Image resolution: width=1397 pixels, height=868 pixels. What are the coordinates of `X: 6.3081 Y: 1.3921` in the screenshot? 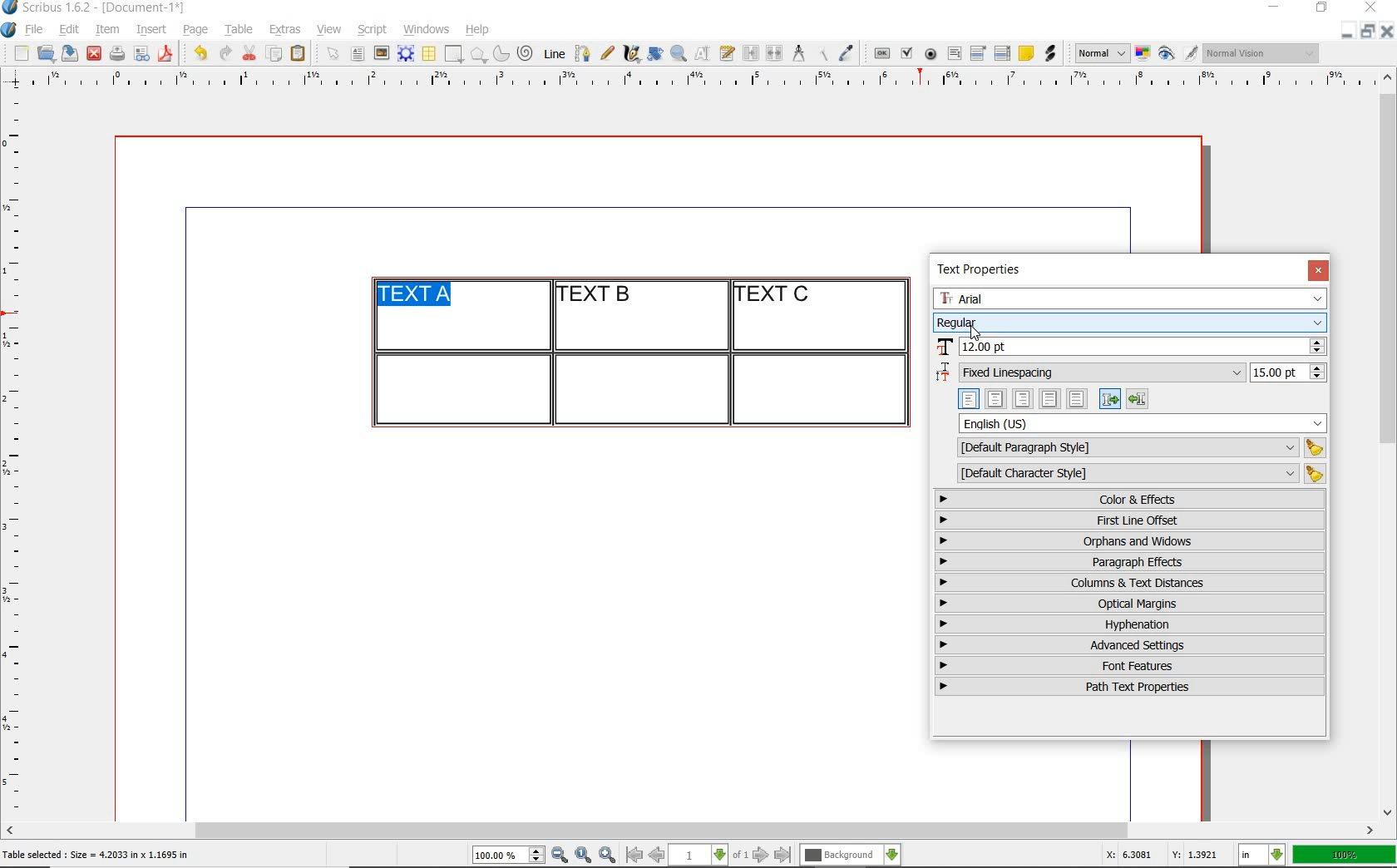 It's located at (1165, 855).